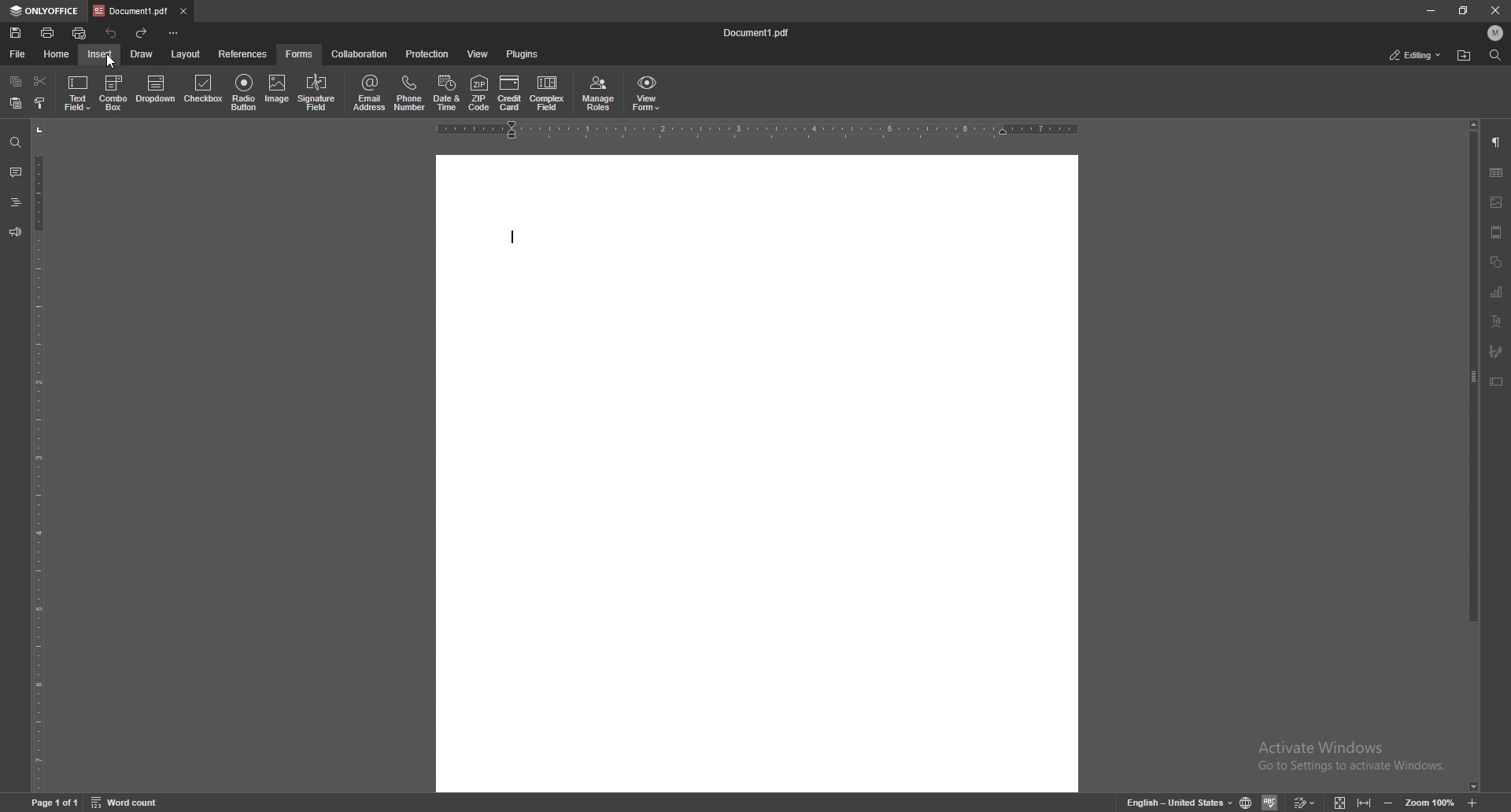 The image size is (1511, 812). What do you see at coordinates (1497, 262) in the screenshot?
I see `shapes` at bounding box center [1497, 262].